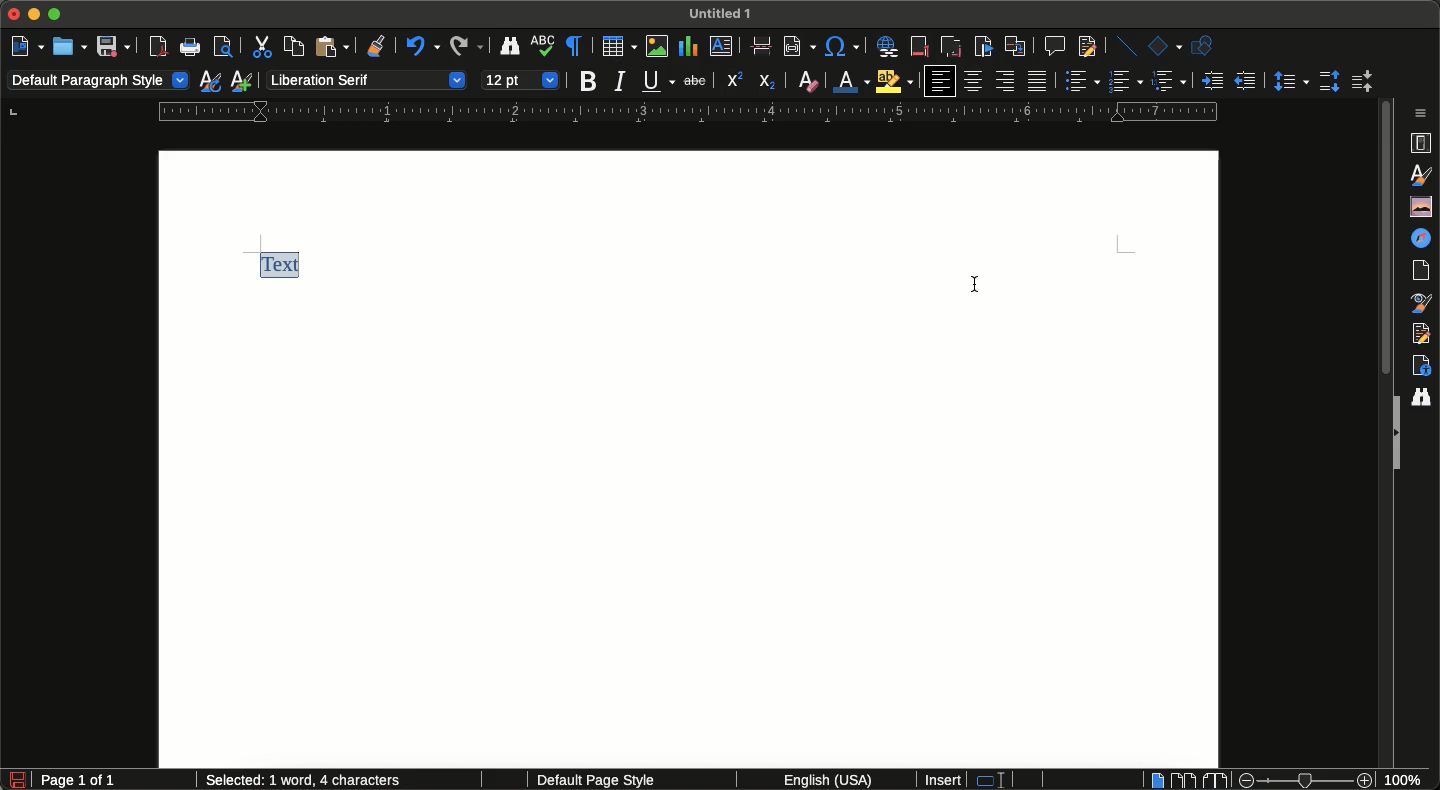  What do you see at coordinates (1425, 238) in the screenshot?
I see `Navigator` at bounding box center [1425, 238].